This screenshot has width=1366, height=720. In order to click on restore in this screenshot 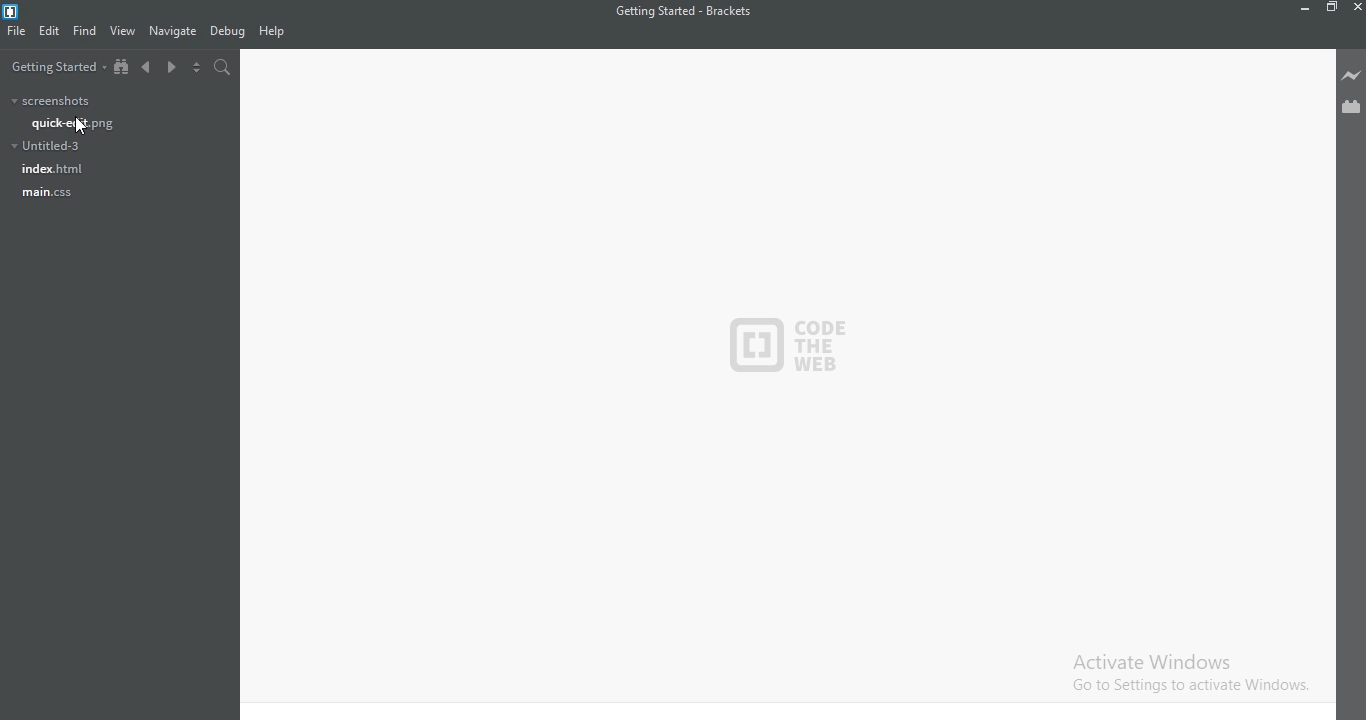, I will do `click(1331, 8)`.